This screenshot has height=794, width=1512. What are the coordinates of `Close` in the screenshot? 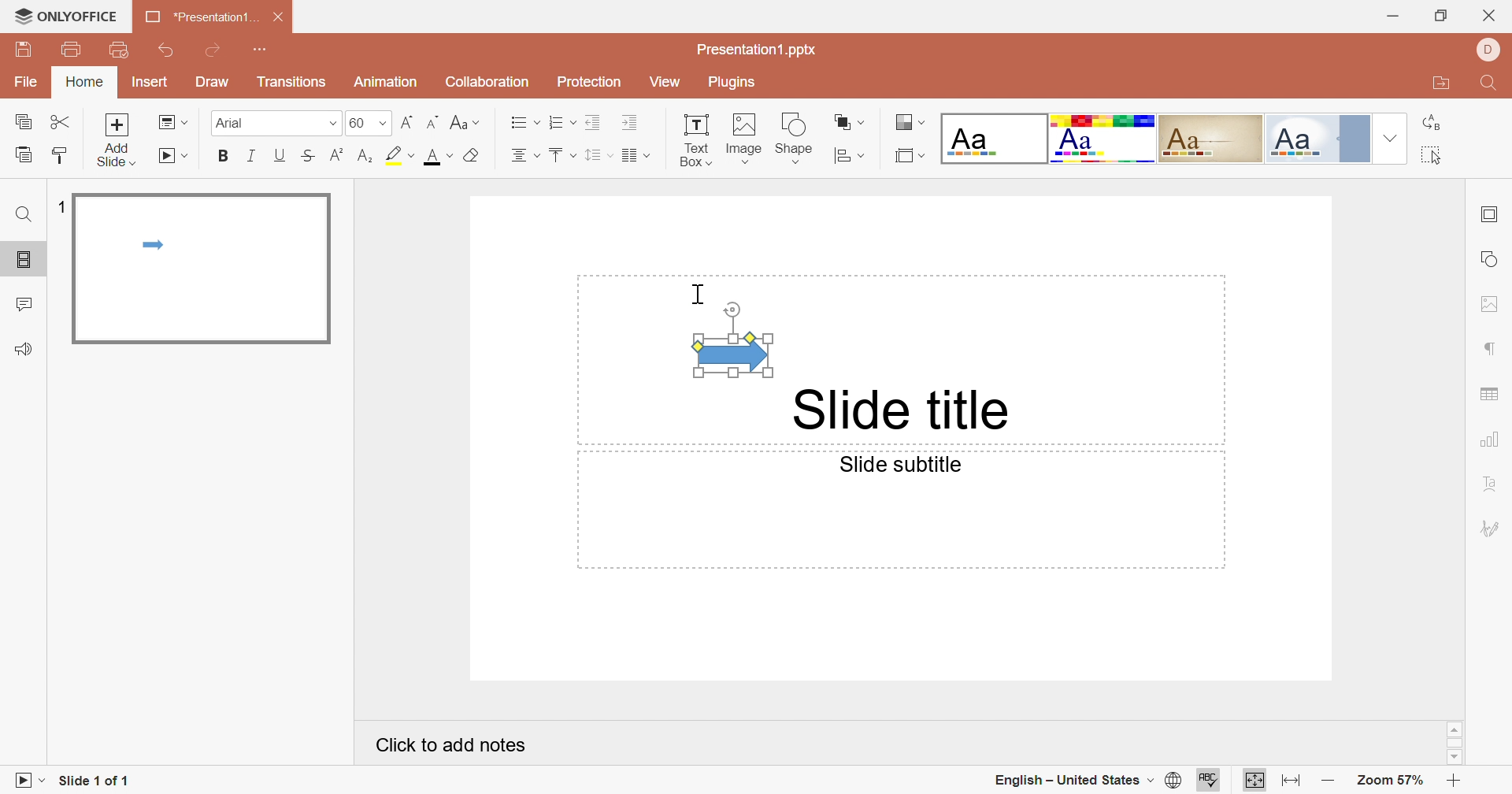 It's located at (282, 17).